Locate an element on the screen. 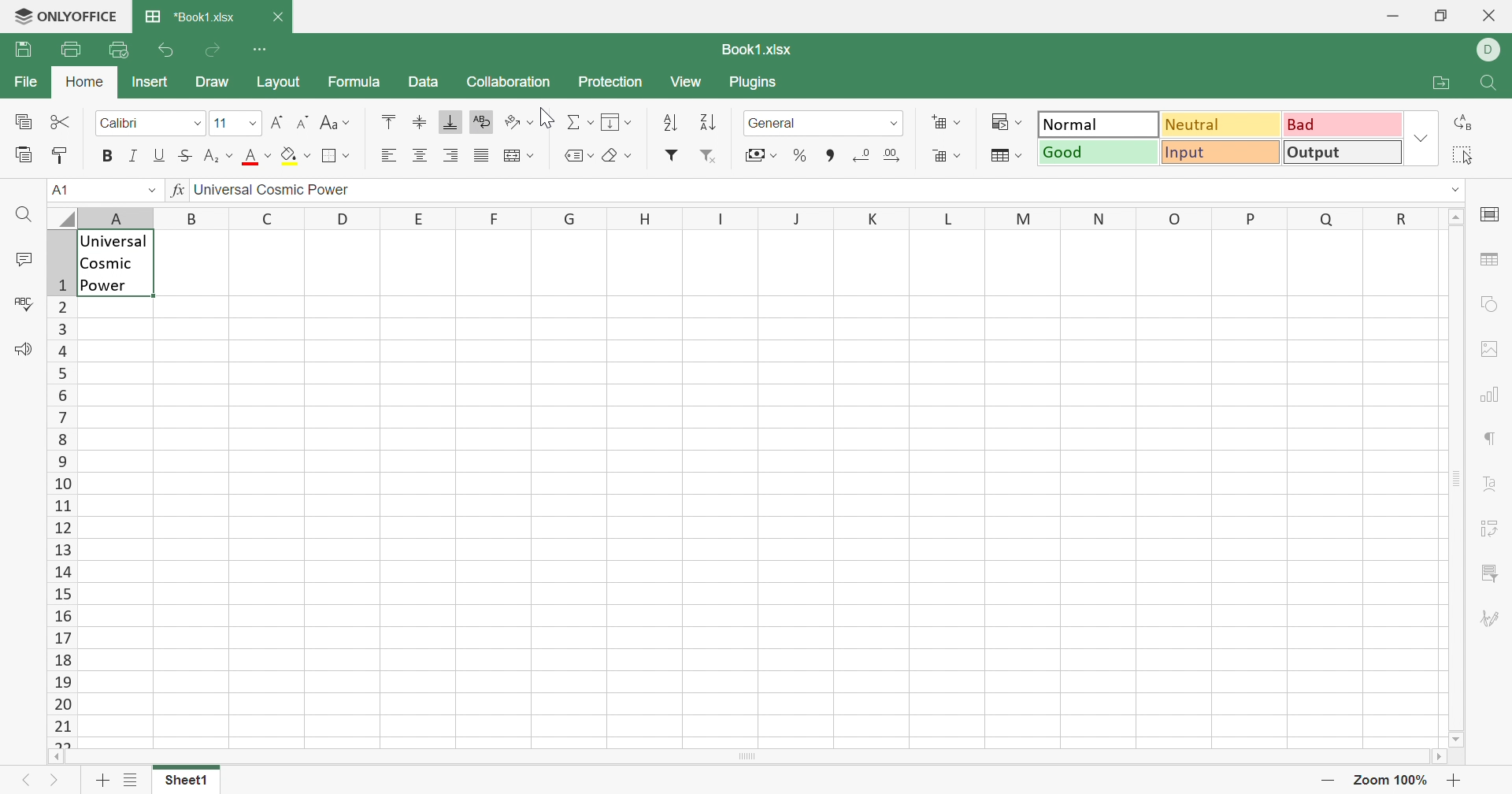  Comments is located at coordinates (24, 260).